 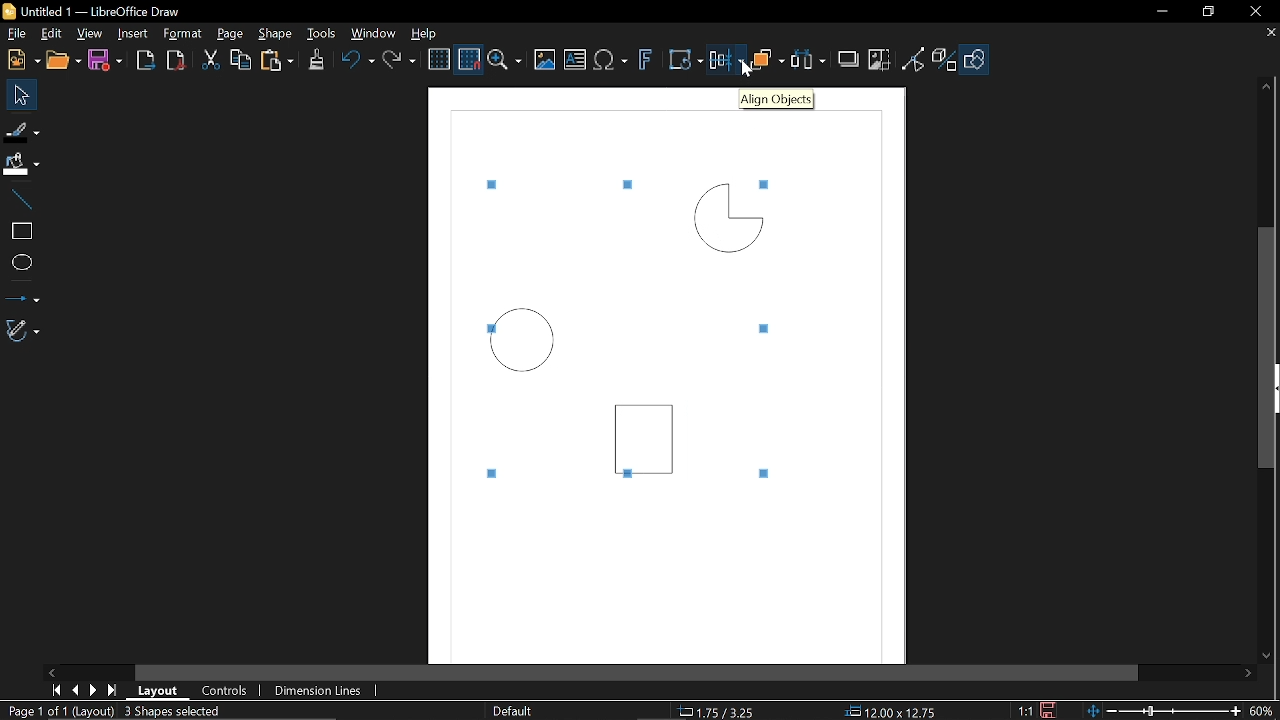 I want to click on Help, so click(x=429, y=33).